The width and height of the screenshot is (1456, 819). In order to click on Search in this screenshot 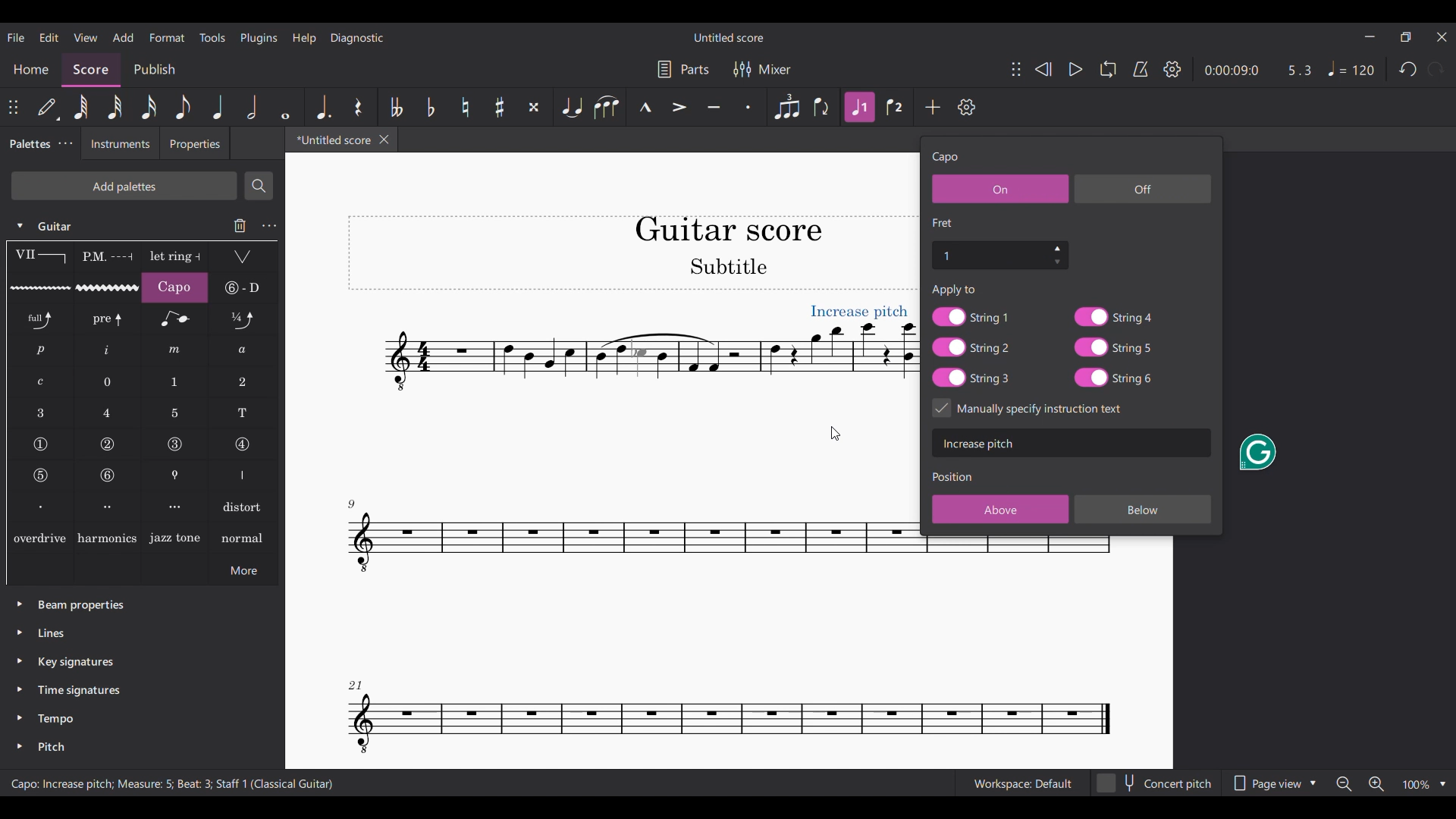, I will do `click(259, 186)`.